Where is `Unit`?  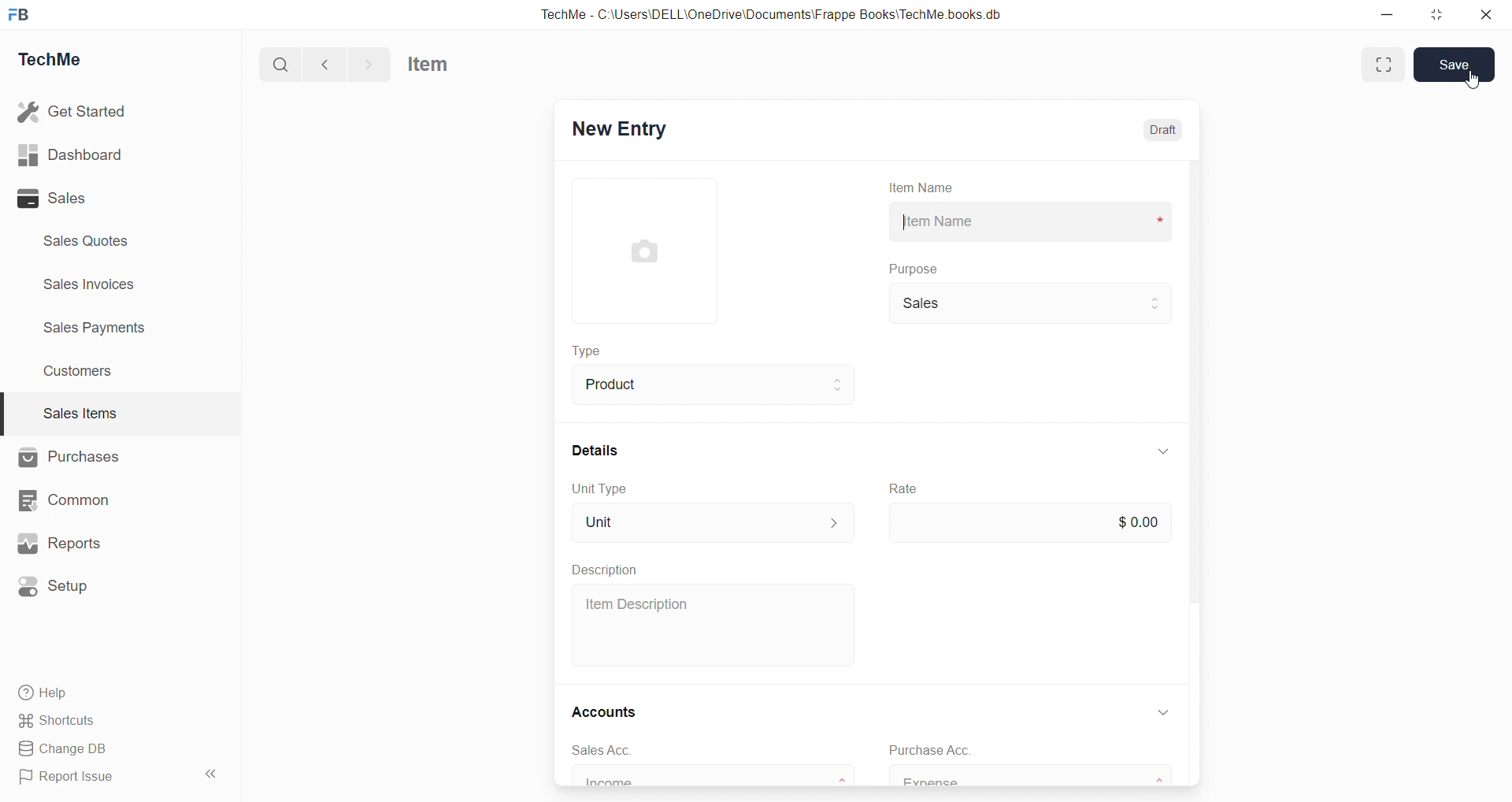 Unit is located at coordinates (713, 522).